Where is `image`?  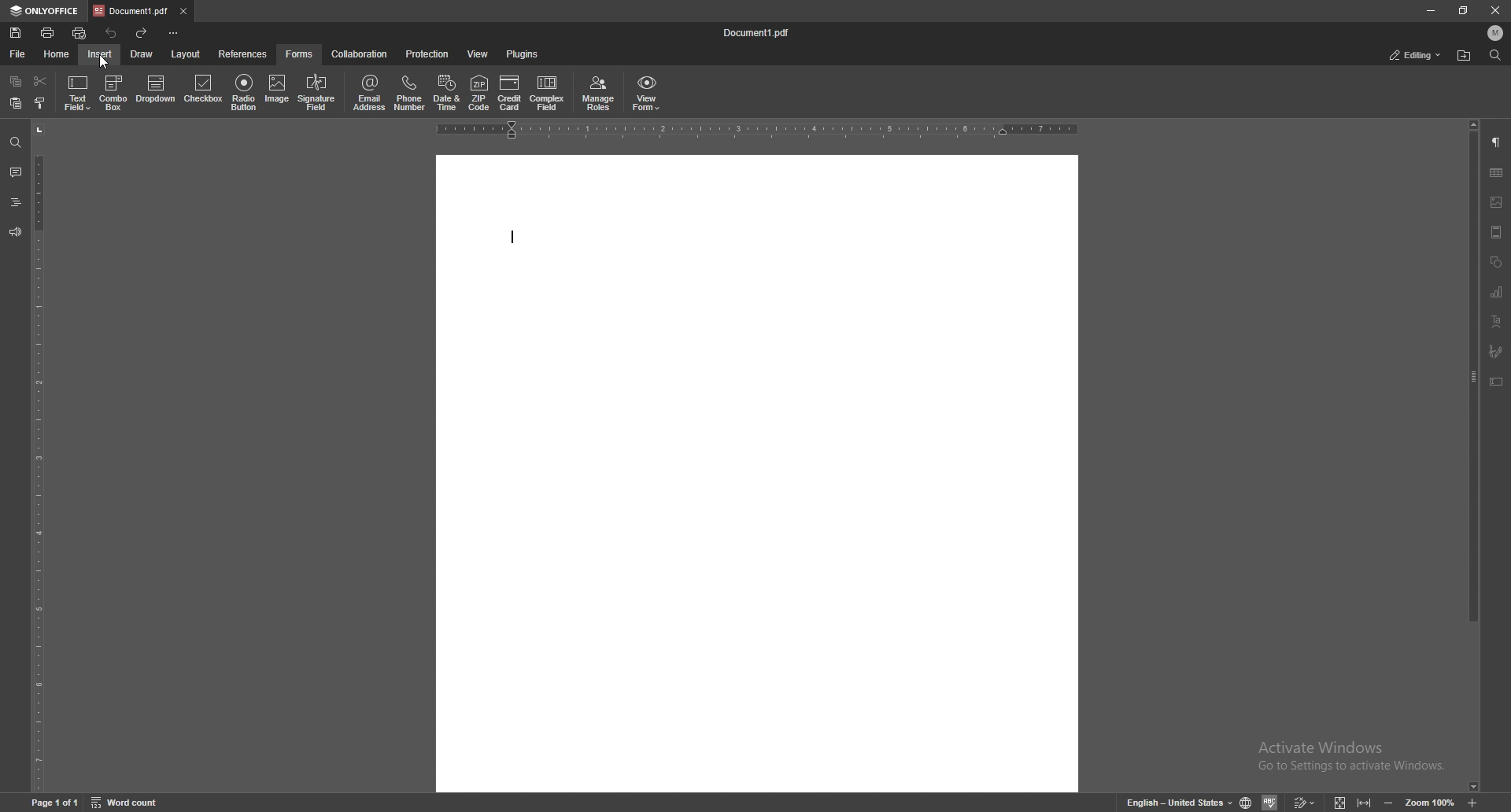 image is located at coordinates (277, 93).